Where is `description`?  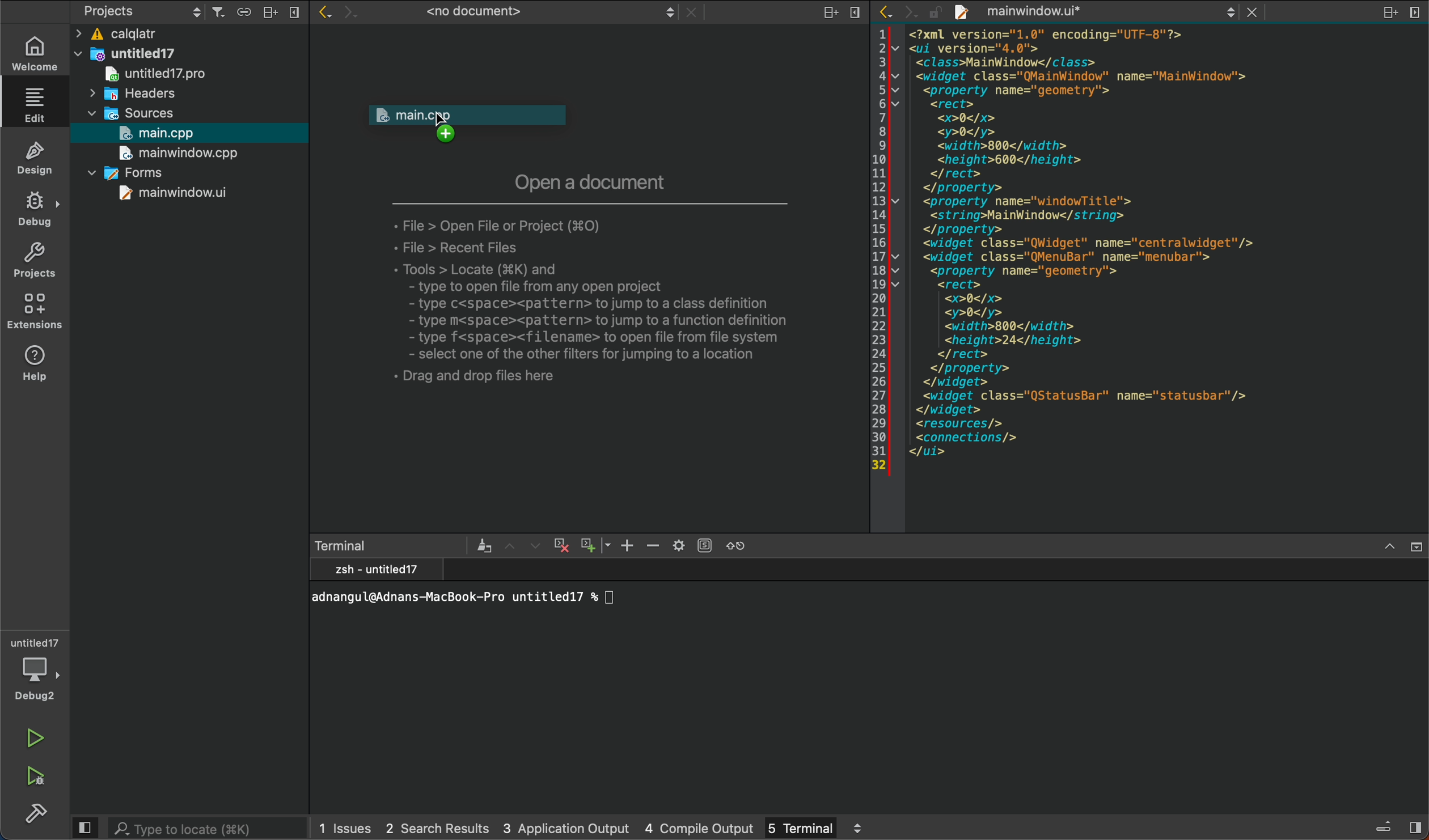
description is located at coordinates (606, 296).